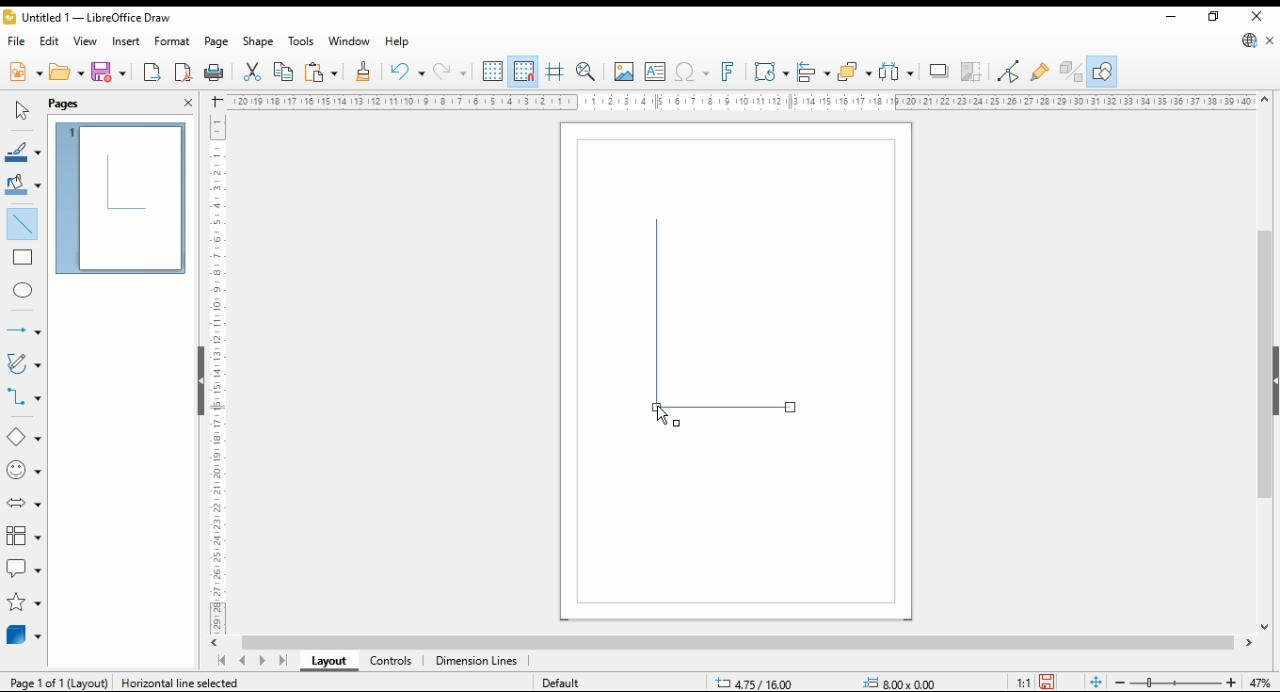 The width and height of the screenshot is (1280, 692). Describe the element at coordinates (364, 72) in the screenshot. I see `copy formatting` at that location.